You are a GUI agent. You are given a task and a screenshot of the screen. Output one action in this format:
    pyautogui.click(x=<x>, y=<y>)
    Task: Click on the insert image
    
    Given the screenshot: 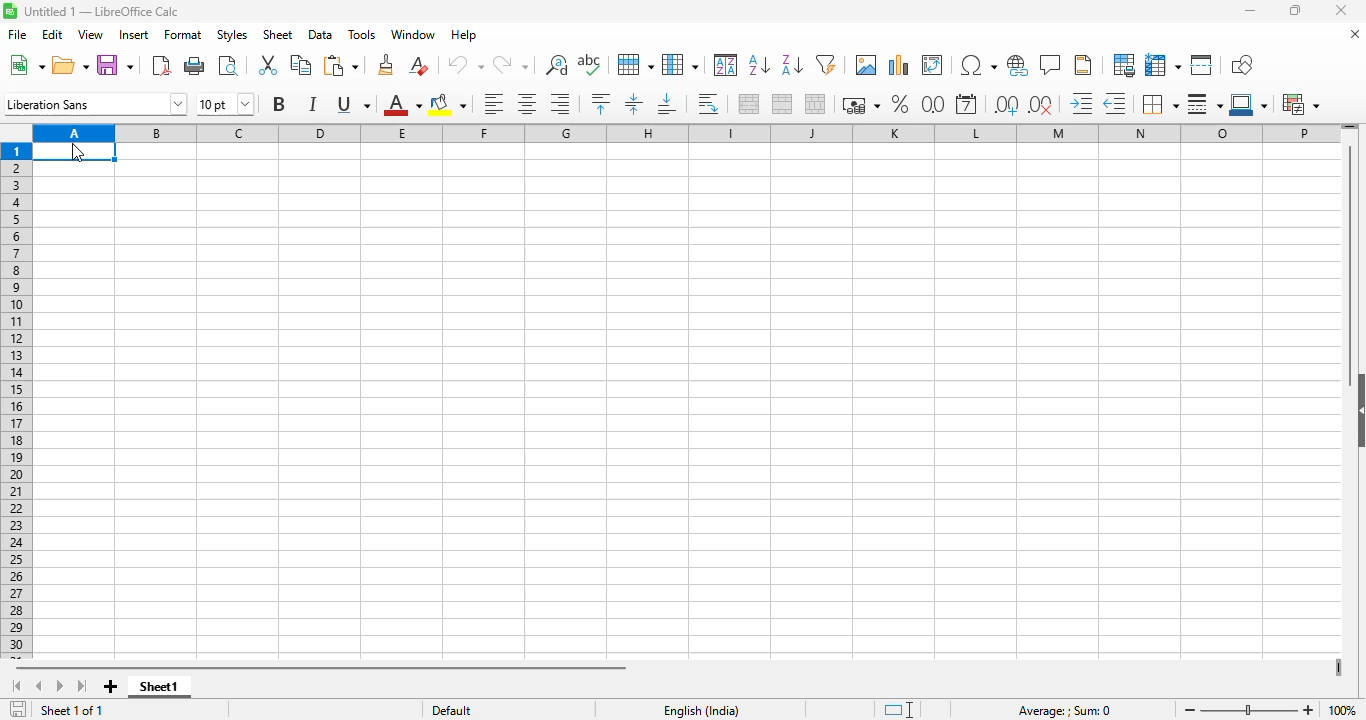 What is the action you would take?
    pyautogui.click(x=867, y=64)
    